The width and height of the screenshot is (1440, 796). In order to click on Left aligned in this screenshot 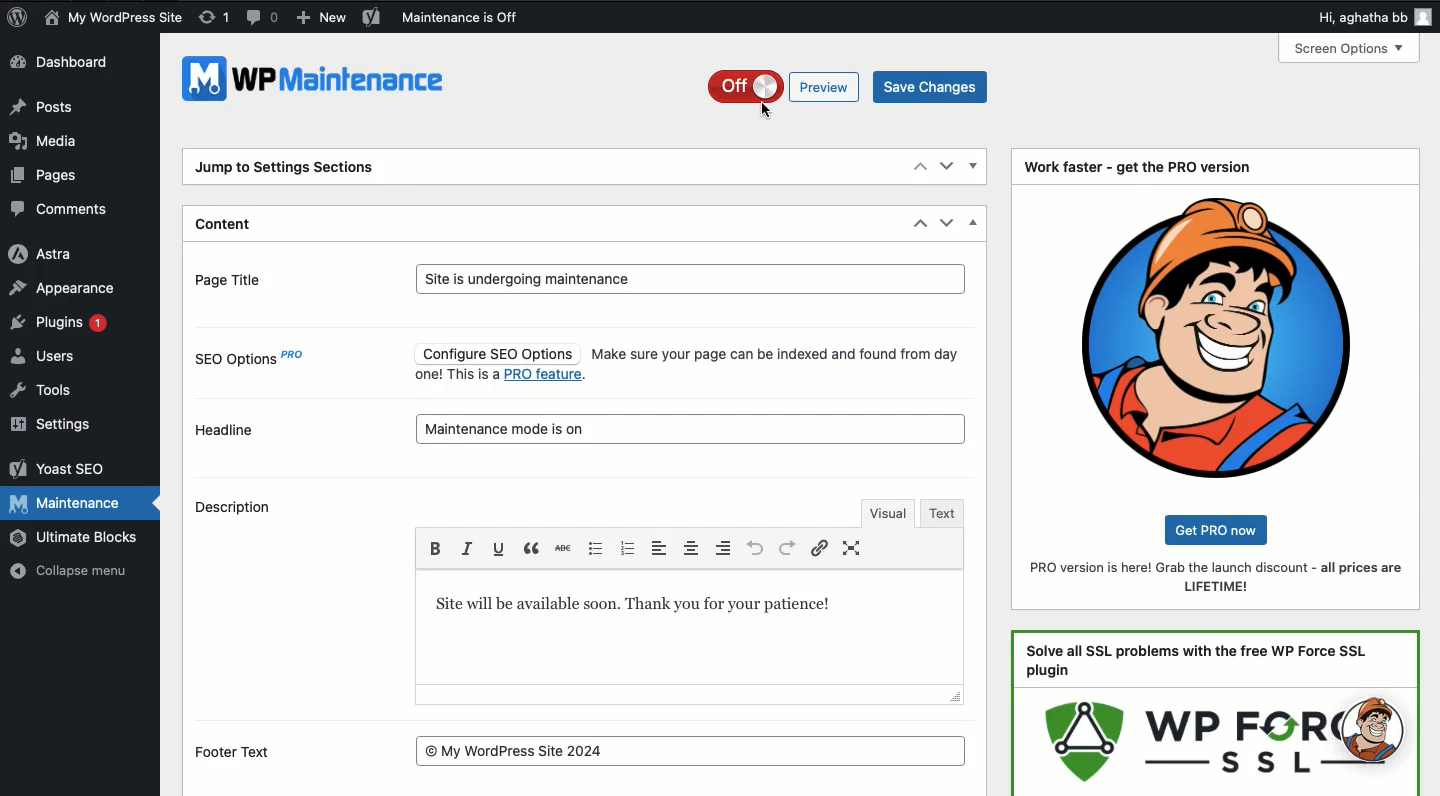, I will do `click(663, 548)`.